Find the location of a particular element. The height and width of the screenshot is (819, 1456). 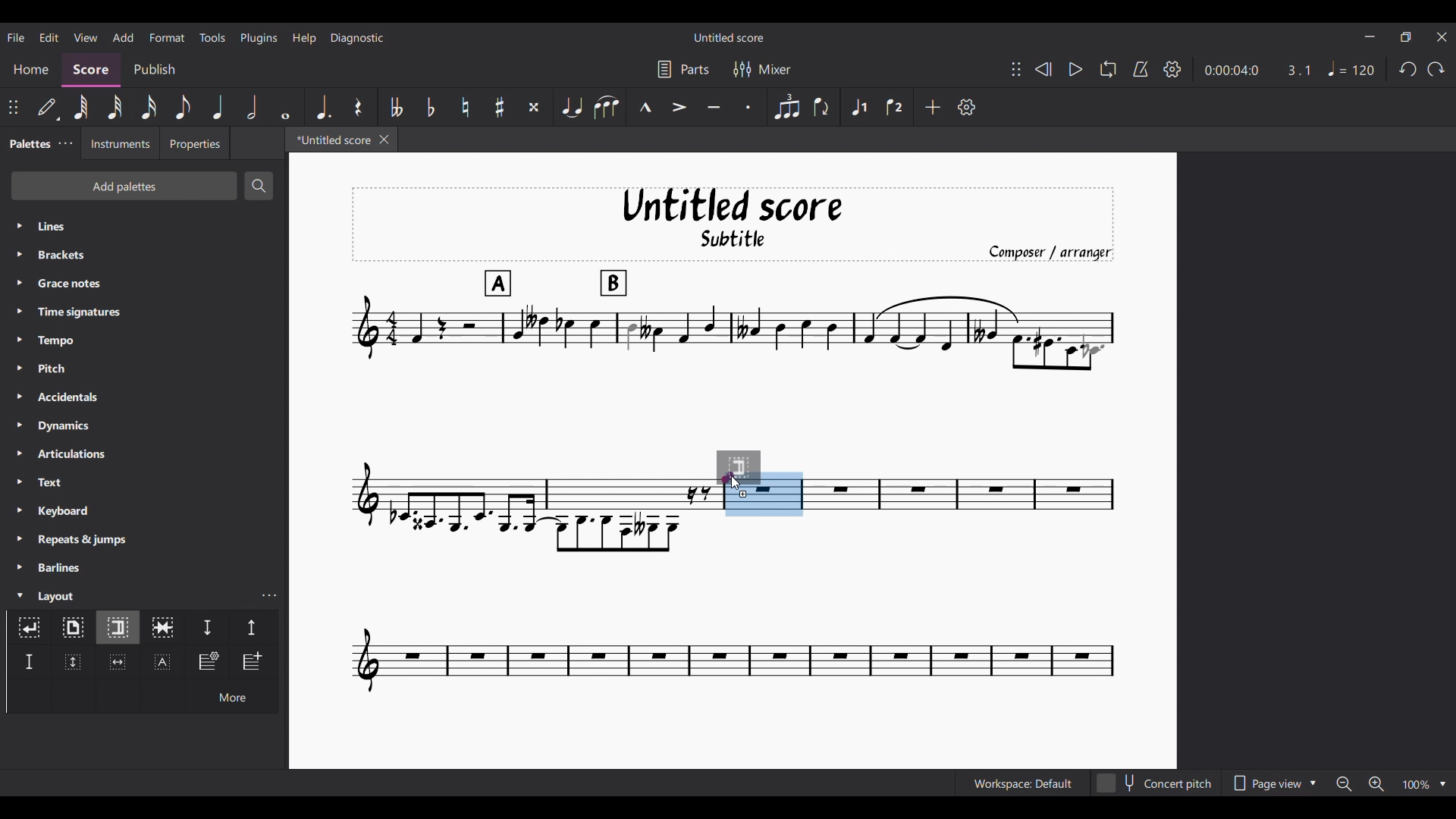

Page break is located at coordinates (72, 628).